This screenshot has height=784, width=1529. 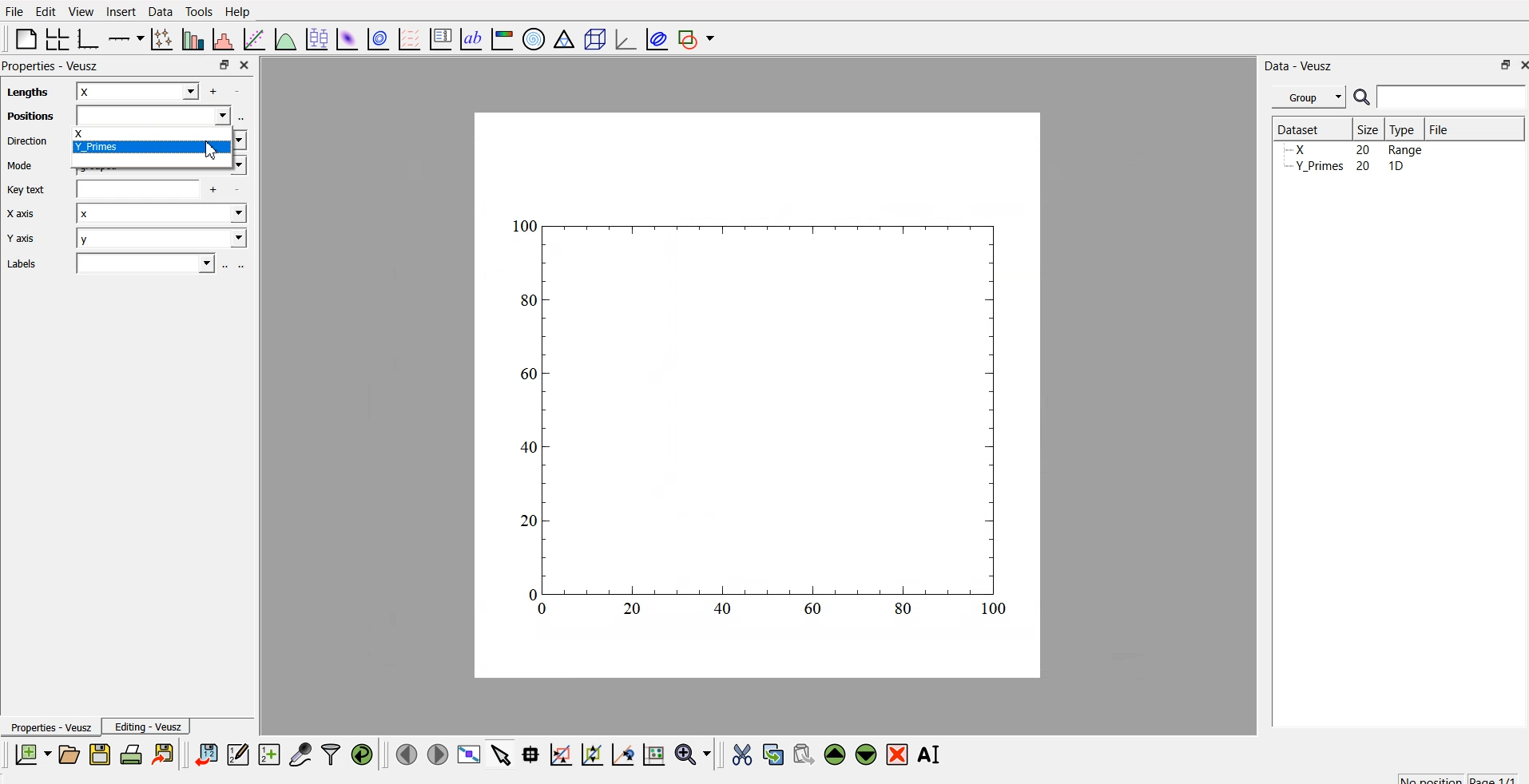 I want to click on Direction vertical, so click(x=30, y=141).